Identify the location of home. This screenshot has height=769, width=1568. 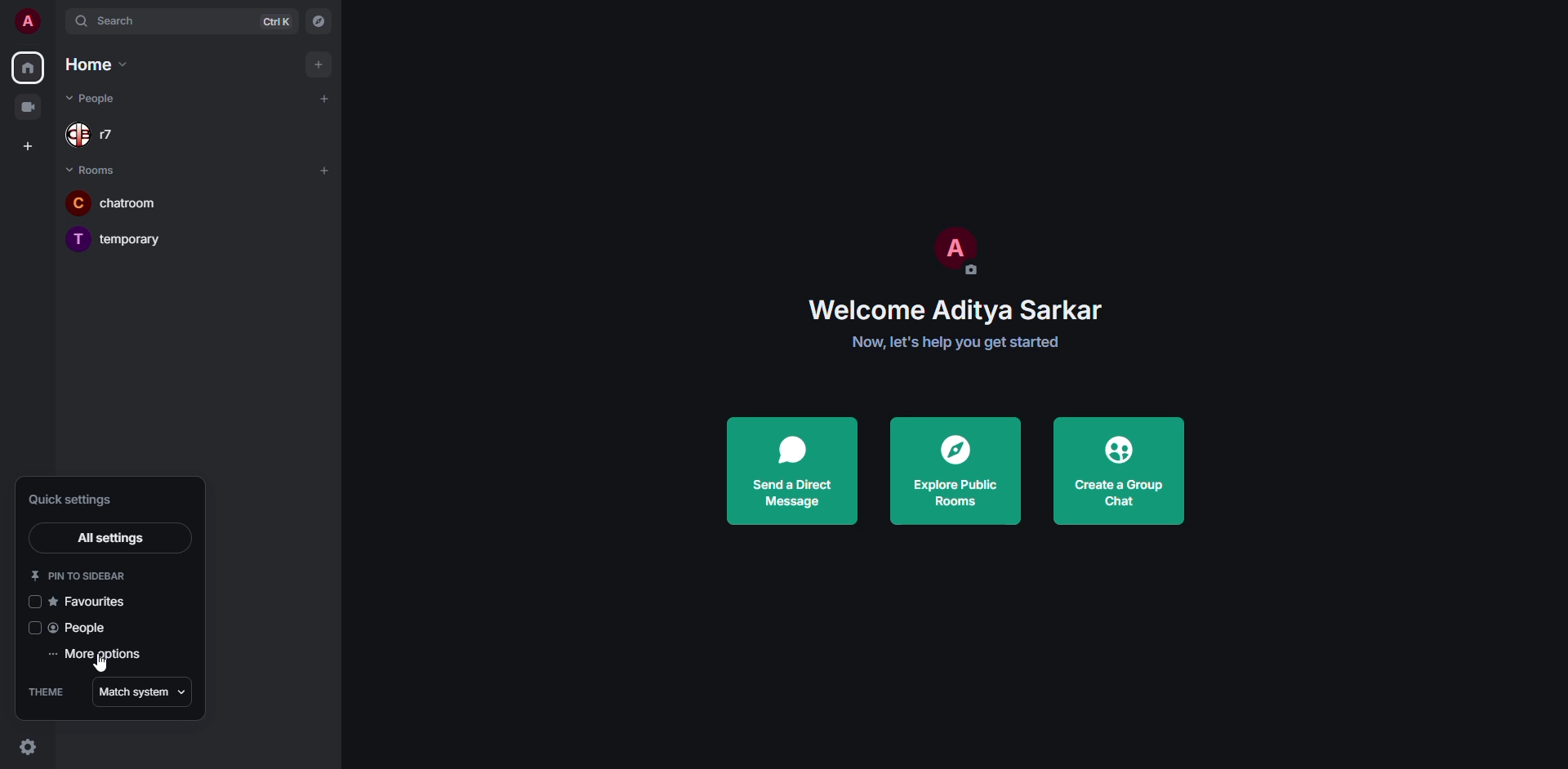
(91, 64).